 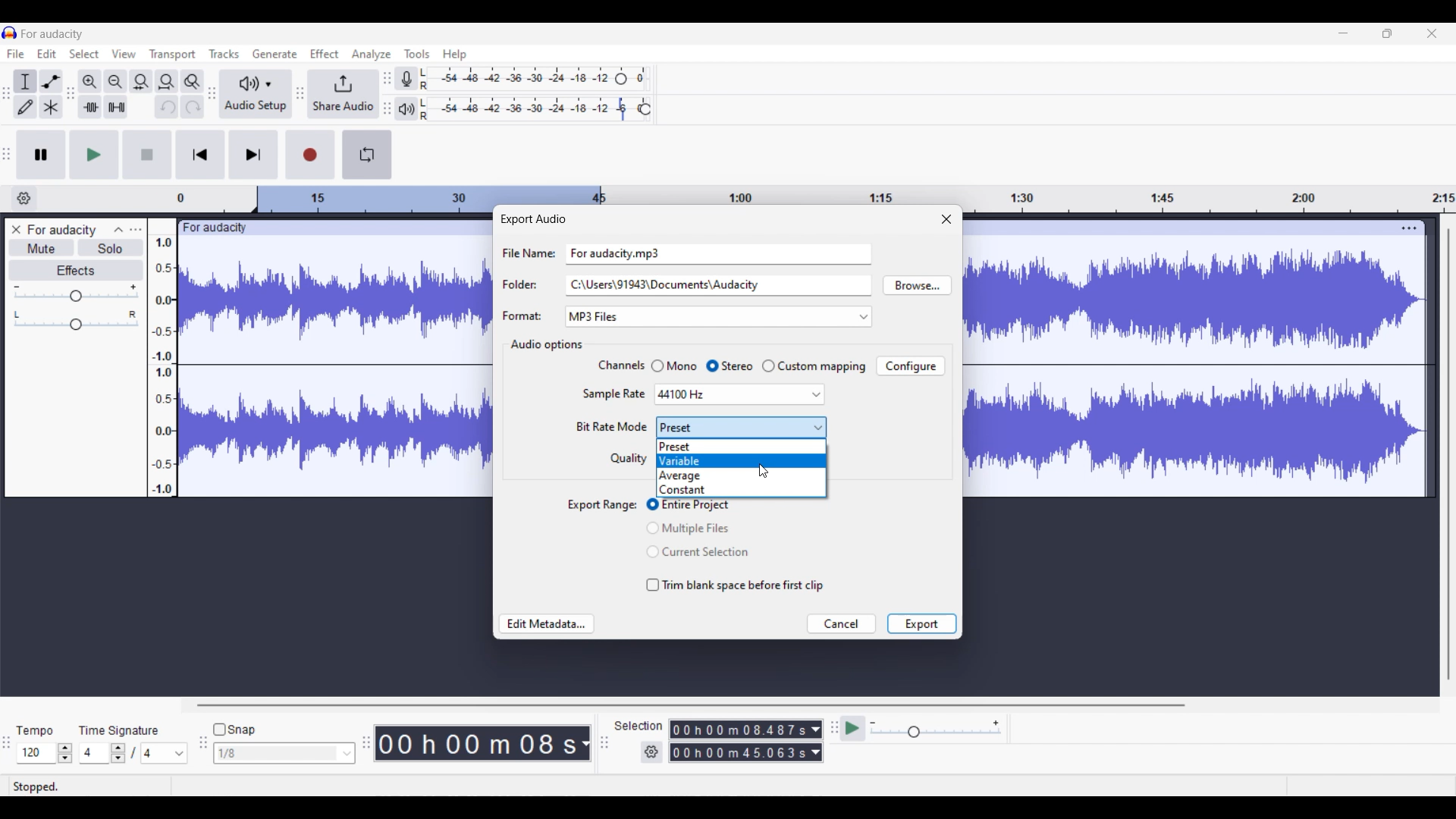 I want to click on Effect menu, so click(x=324, y=53).